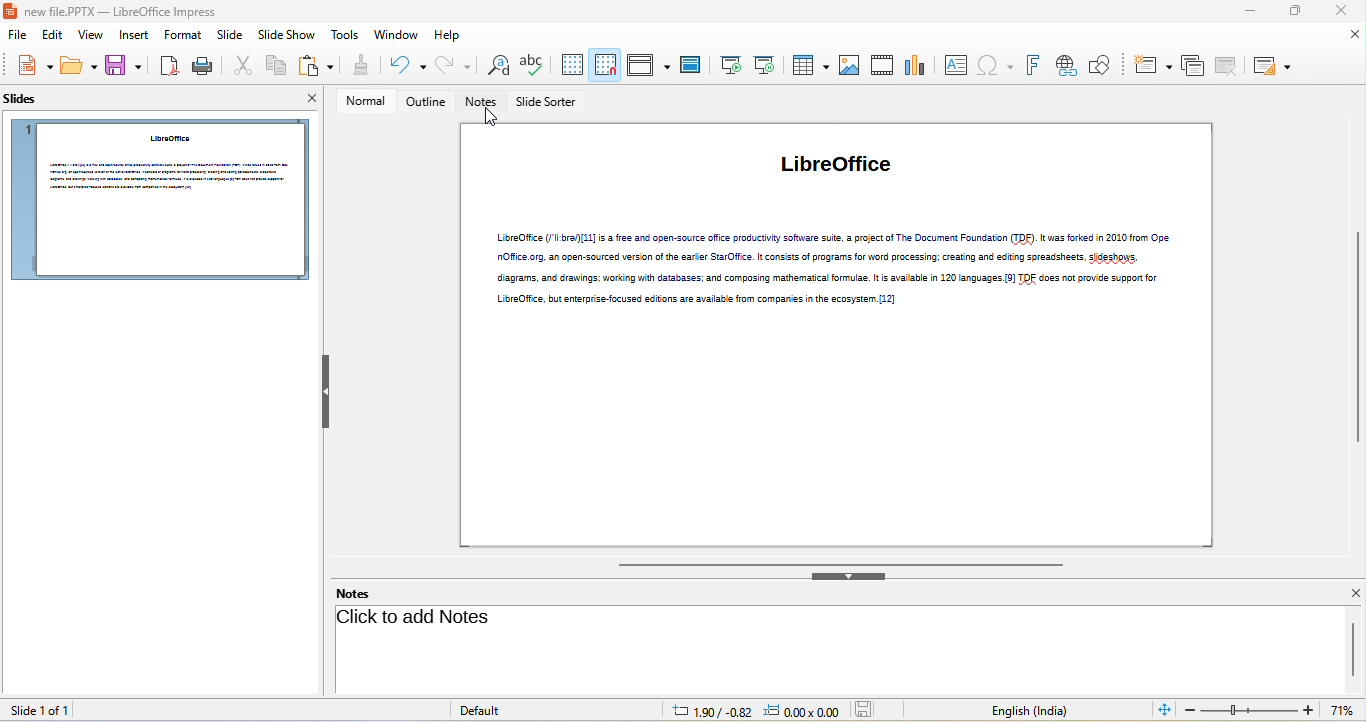 Image resolution: width=1366 pixels, height=722 pixels. Describe the element at coordinates (1029, 711) in the screenshot. I see `text language` at that location.